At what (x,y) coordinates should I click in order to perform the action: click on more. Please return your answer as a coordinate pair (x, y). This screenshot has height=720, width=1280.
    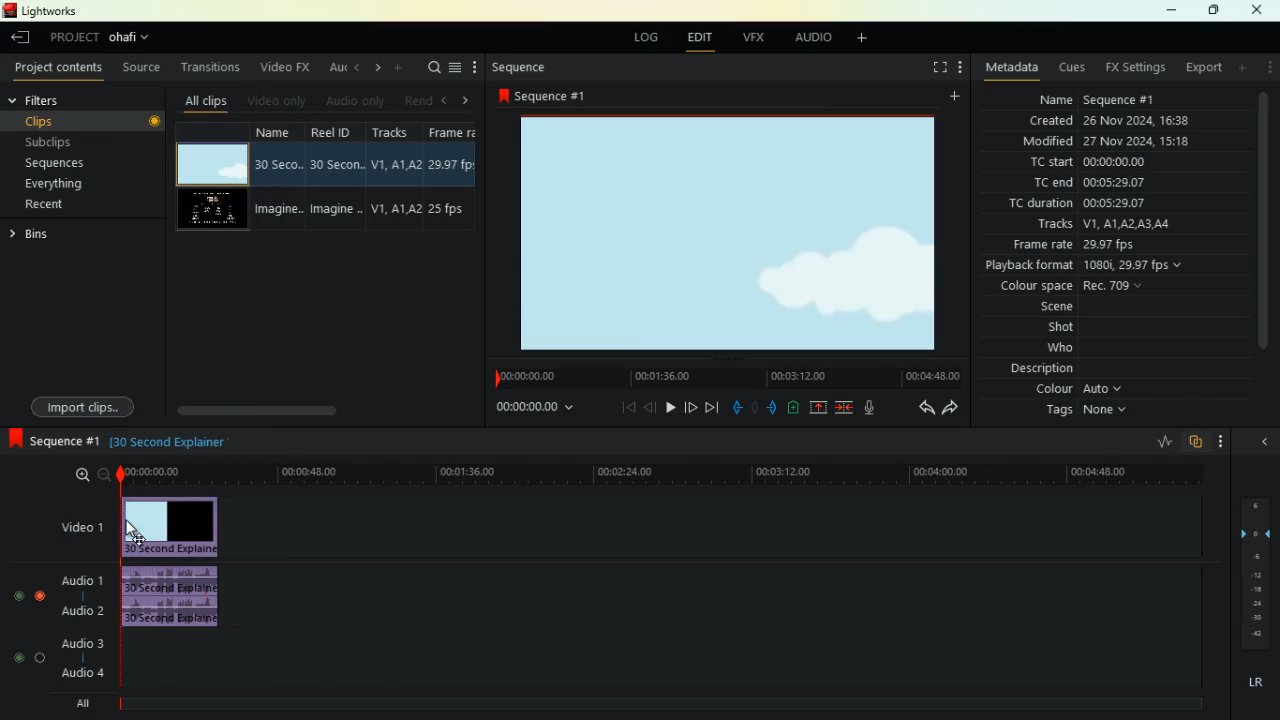
    Looking at the image, I should click on (1271, 67).